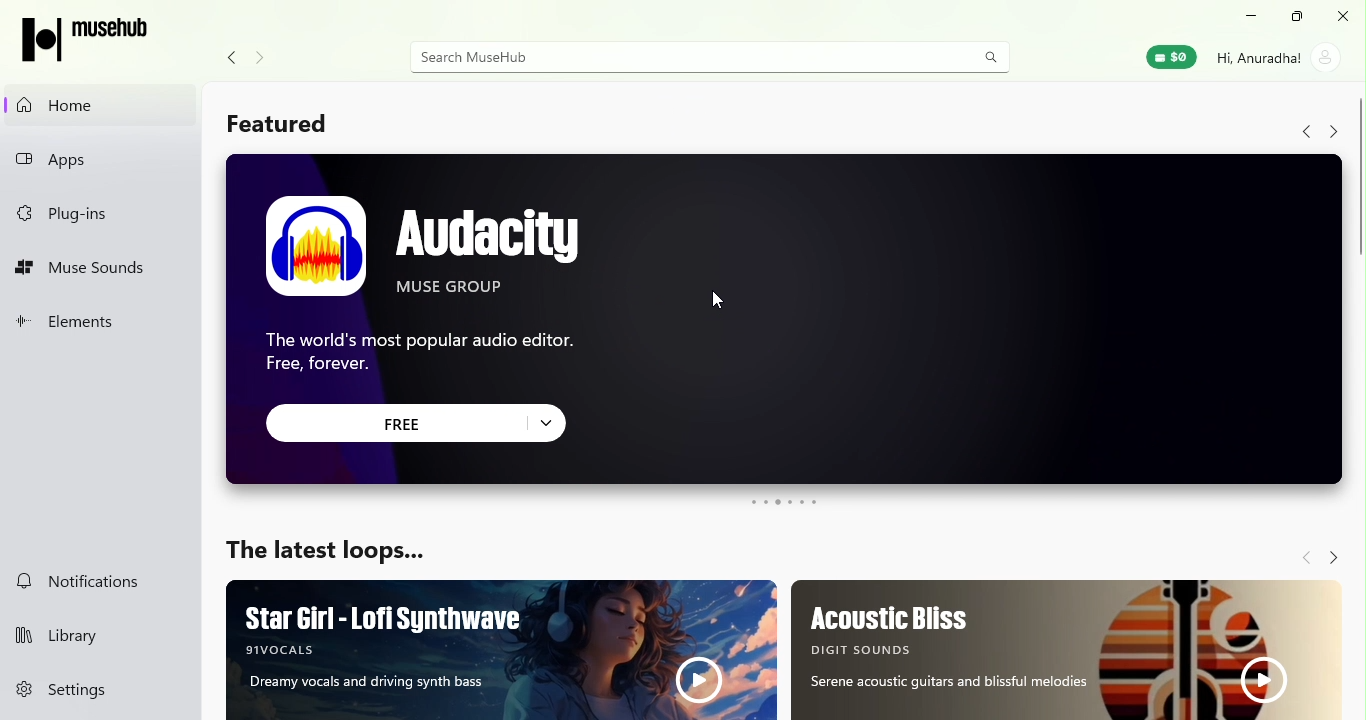 This screenshot has width=1366, height=720. I want to click on Apps, so click(105, 160).